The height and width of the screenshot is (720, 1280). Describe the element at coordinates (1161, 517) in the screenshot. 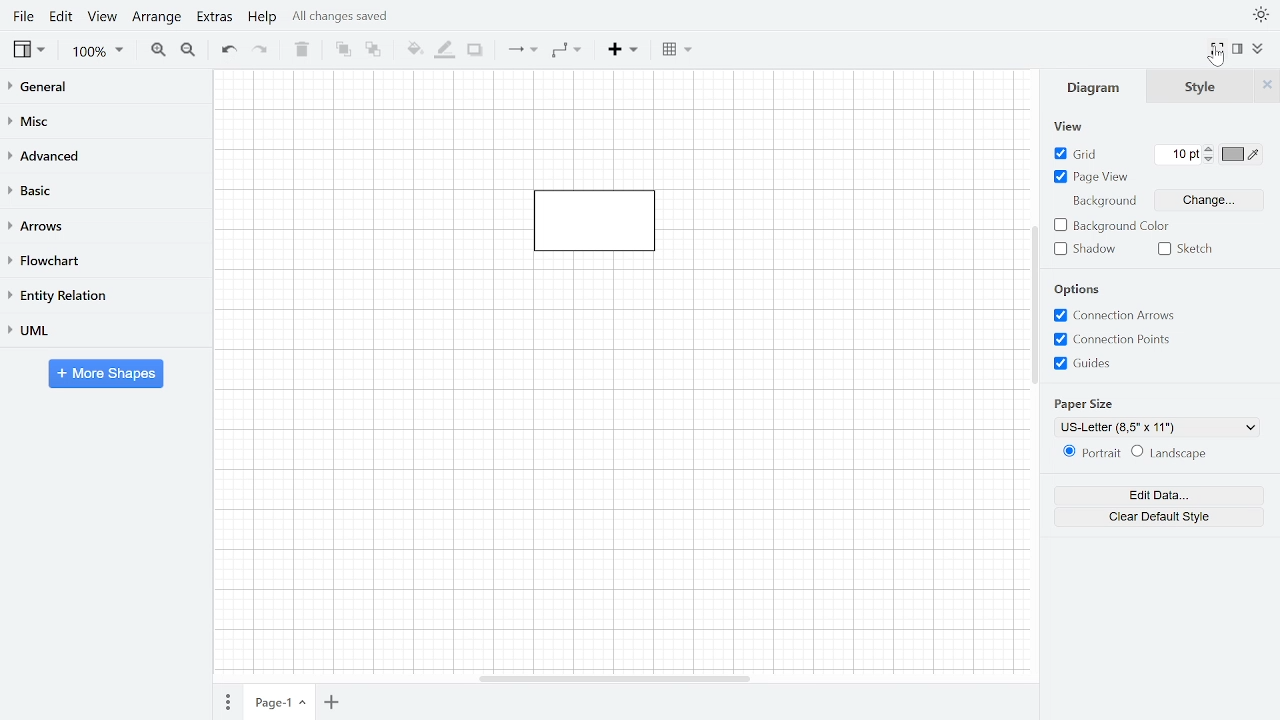

I see `Clear default style` at that location.